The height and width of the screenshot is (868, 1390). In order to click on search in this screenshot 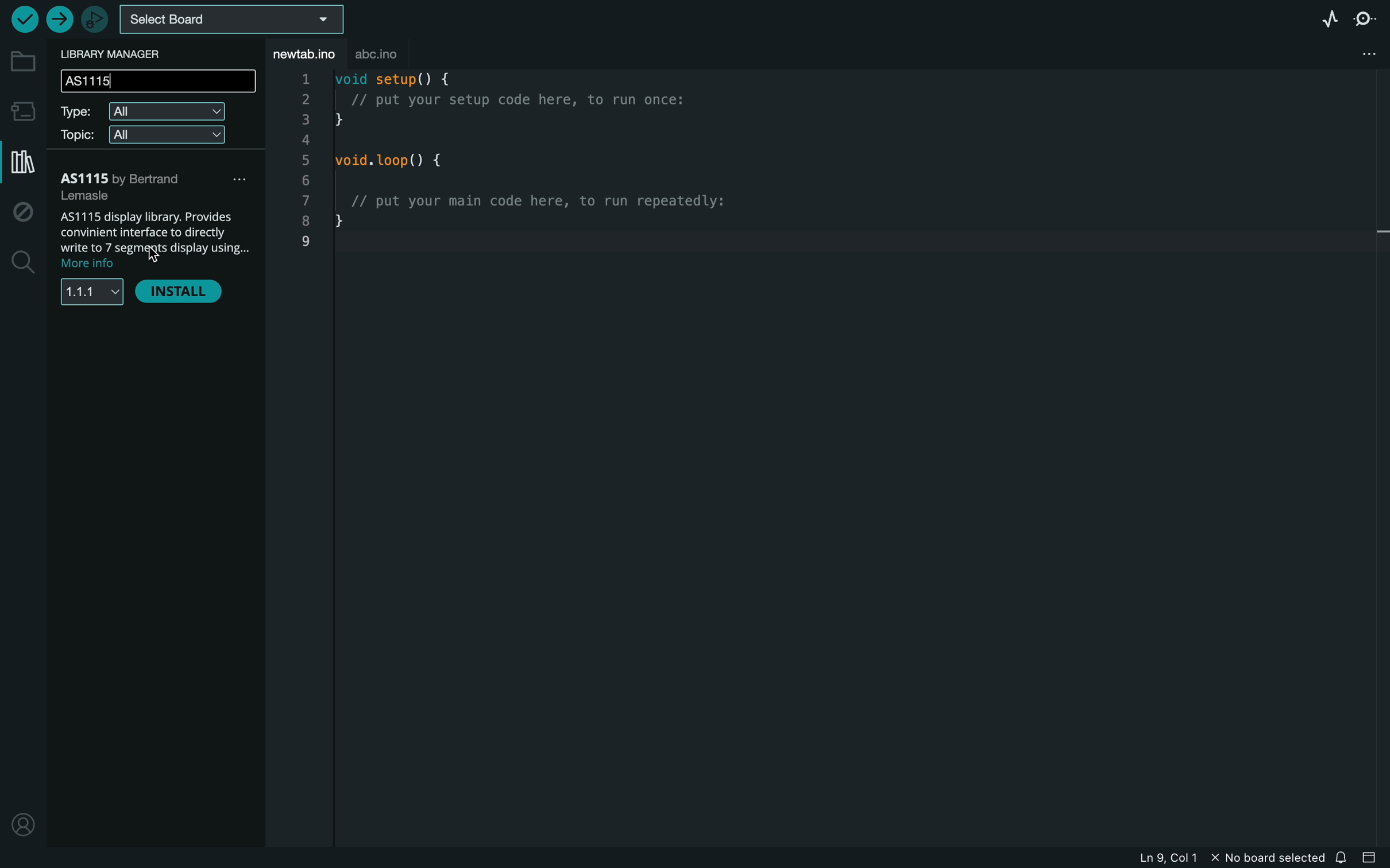, I will do `click(22, 266)`.